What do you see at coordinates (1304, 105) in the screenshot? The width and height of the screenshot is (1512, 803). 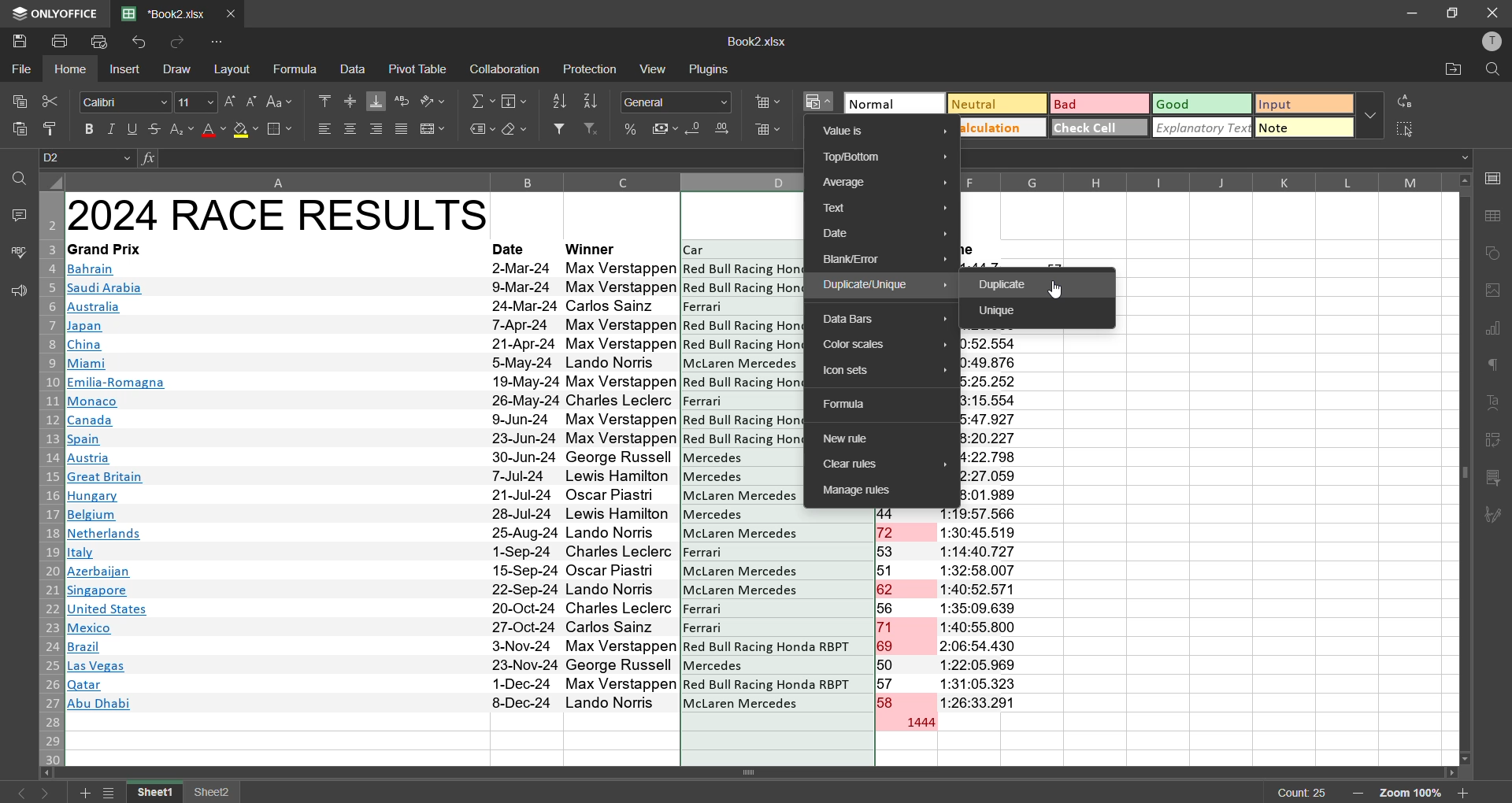 I see `input` at bounding box center [1304, 105].